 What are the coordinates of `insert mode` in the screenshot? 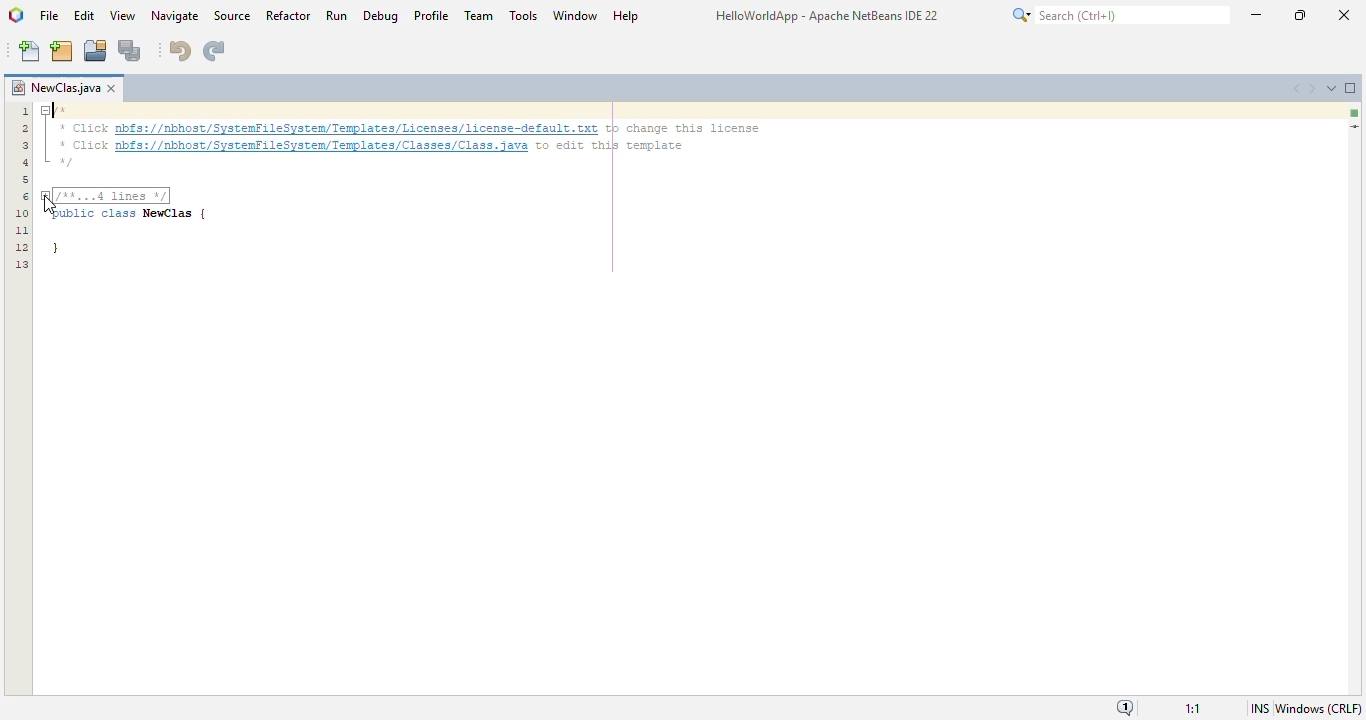 It's located at (1259, 708).